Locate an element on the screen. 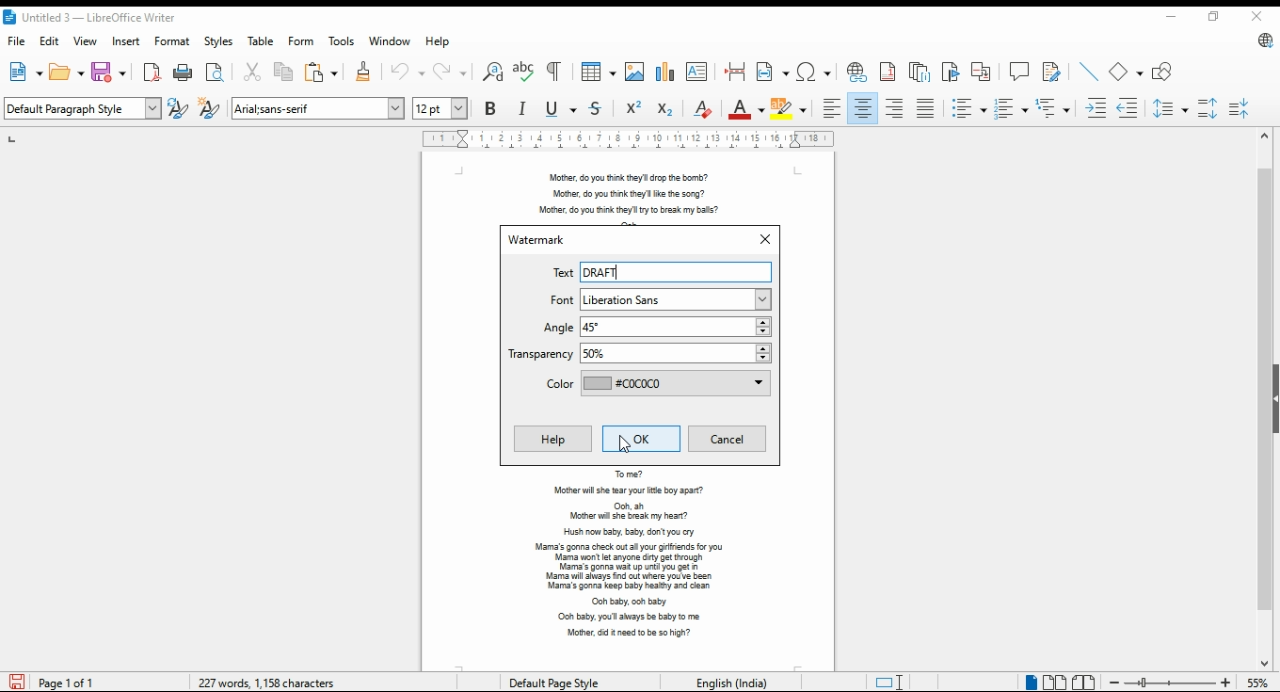  watermark window is located at coordinates (542, 241).